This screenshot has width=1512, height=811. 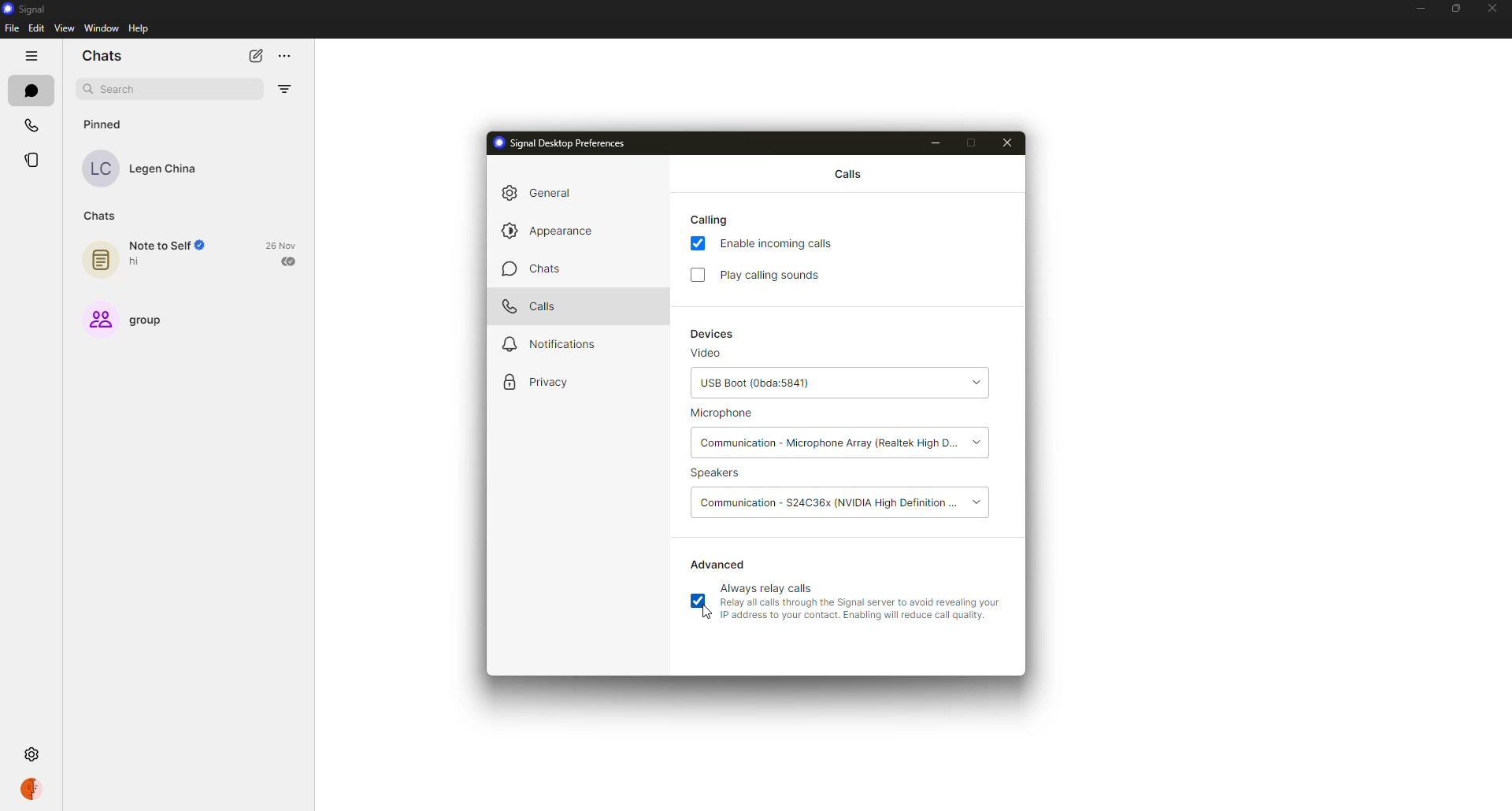 I want to click on advanced, so click(x=719, y=564).